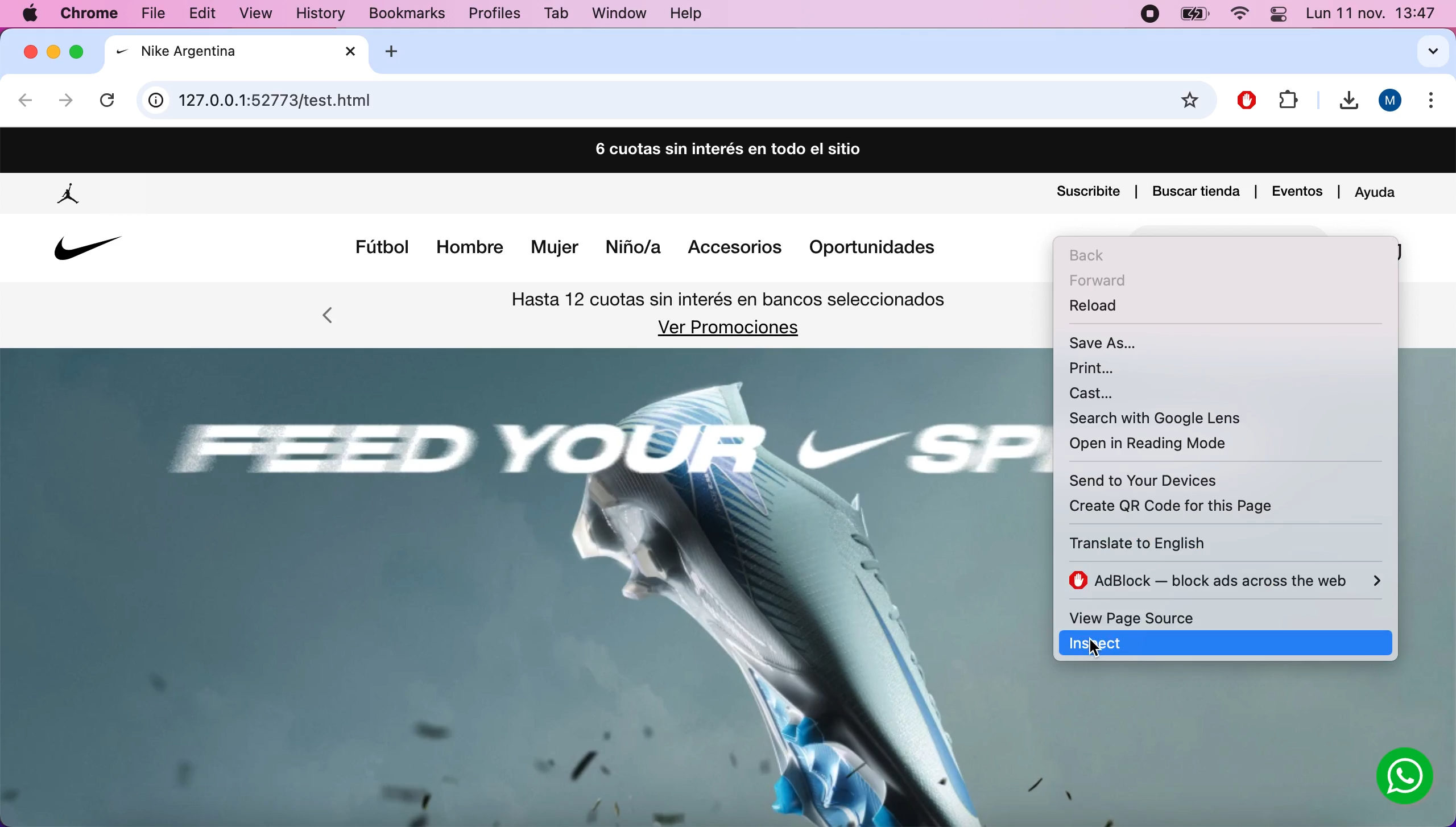 This screenshot has width=1456, height=827. I want to click on , so click(1405, 778).